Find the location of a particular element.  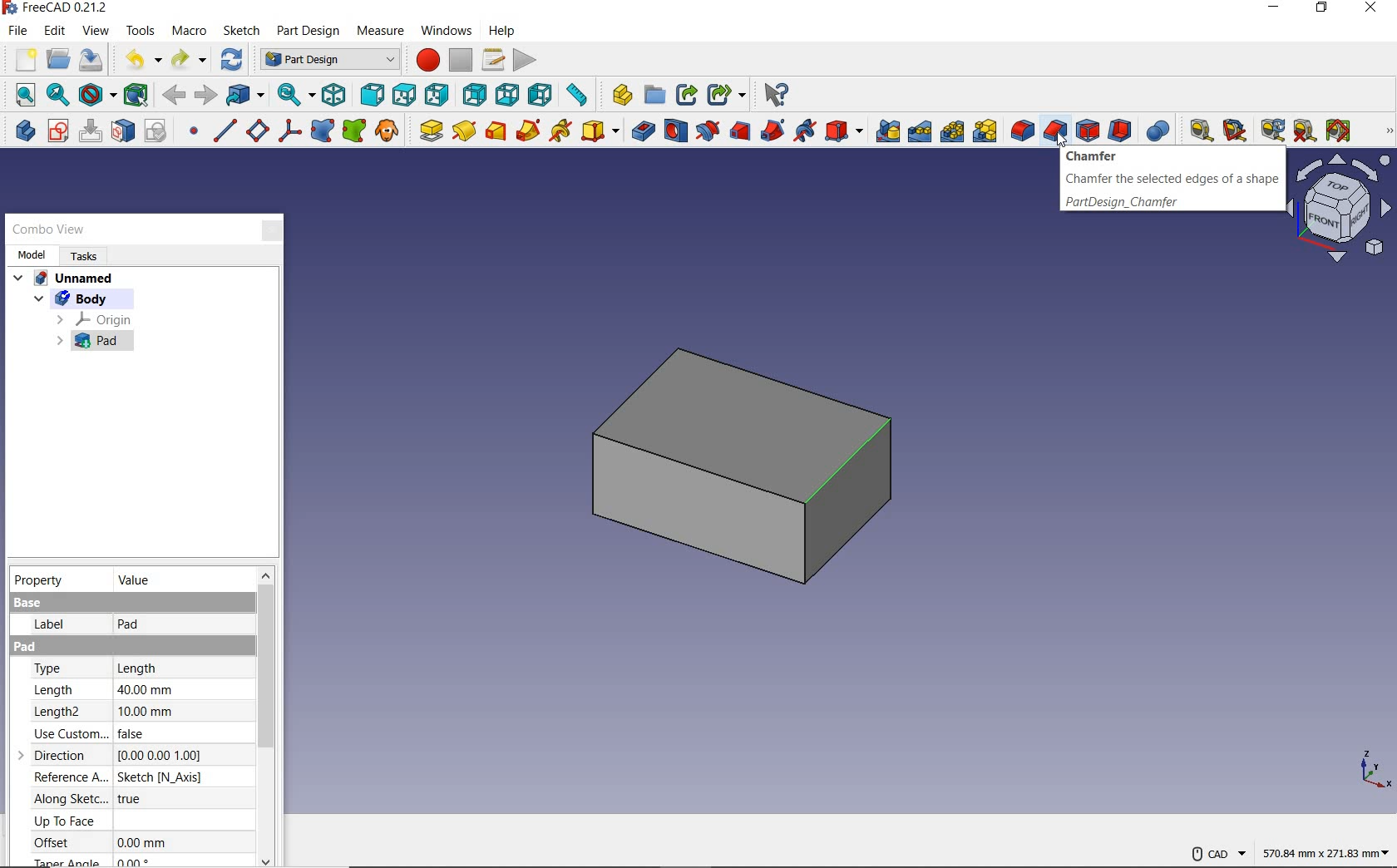

Part Design is located at coordinates (327, 60).